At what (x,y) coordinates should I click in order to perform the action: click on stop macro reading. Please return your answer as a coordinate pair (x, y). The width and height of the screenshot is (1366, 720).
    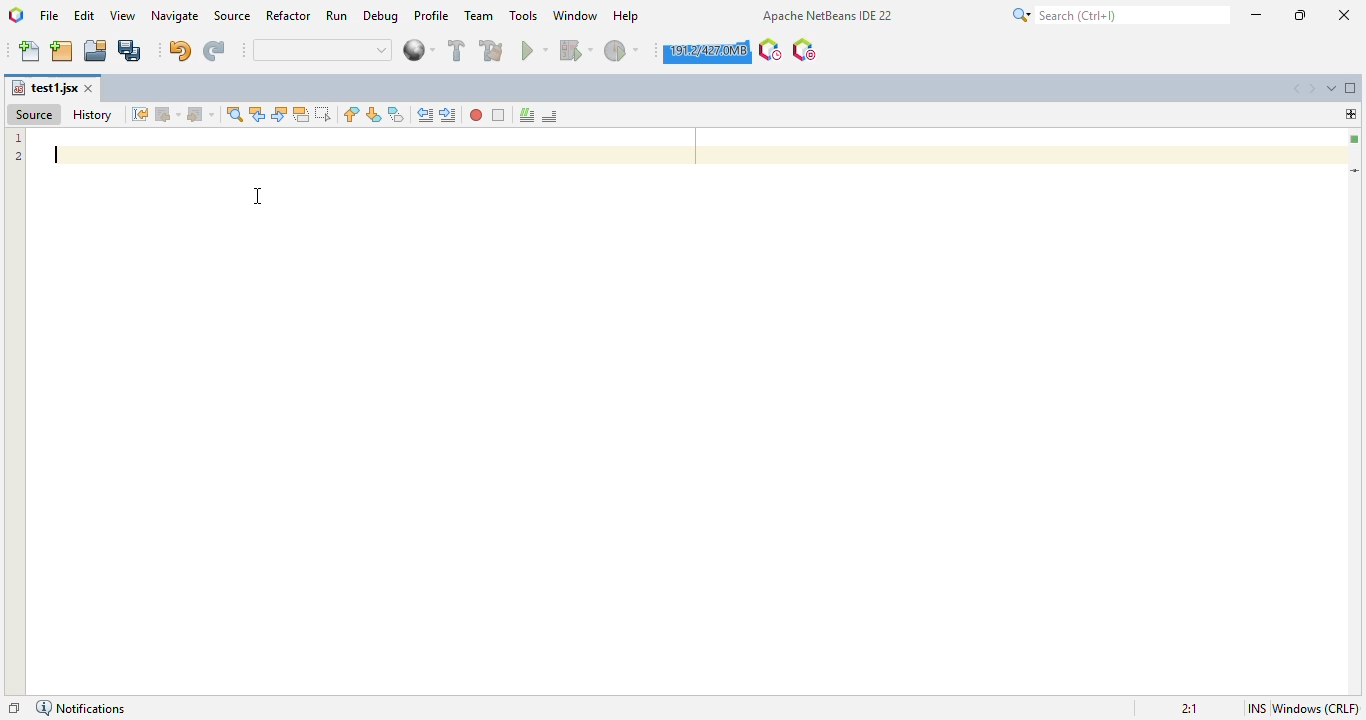
    Looking at the image, I should click on (499, 116).